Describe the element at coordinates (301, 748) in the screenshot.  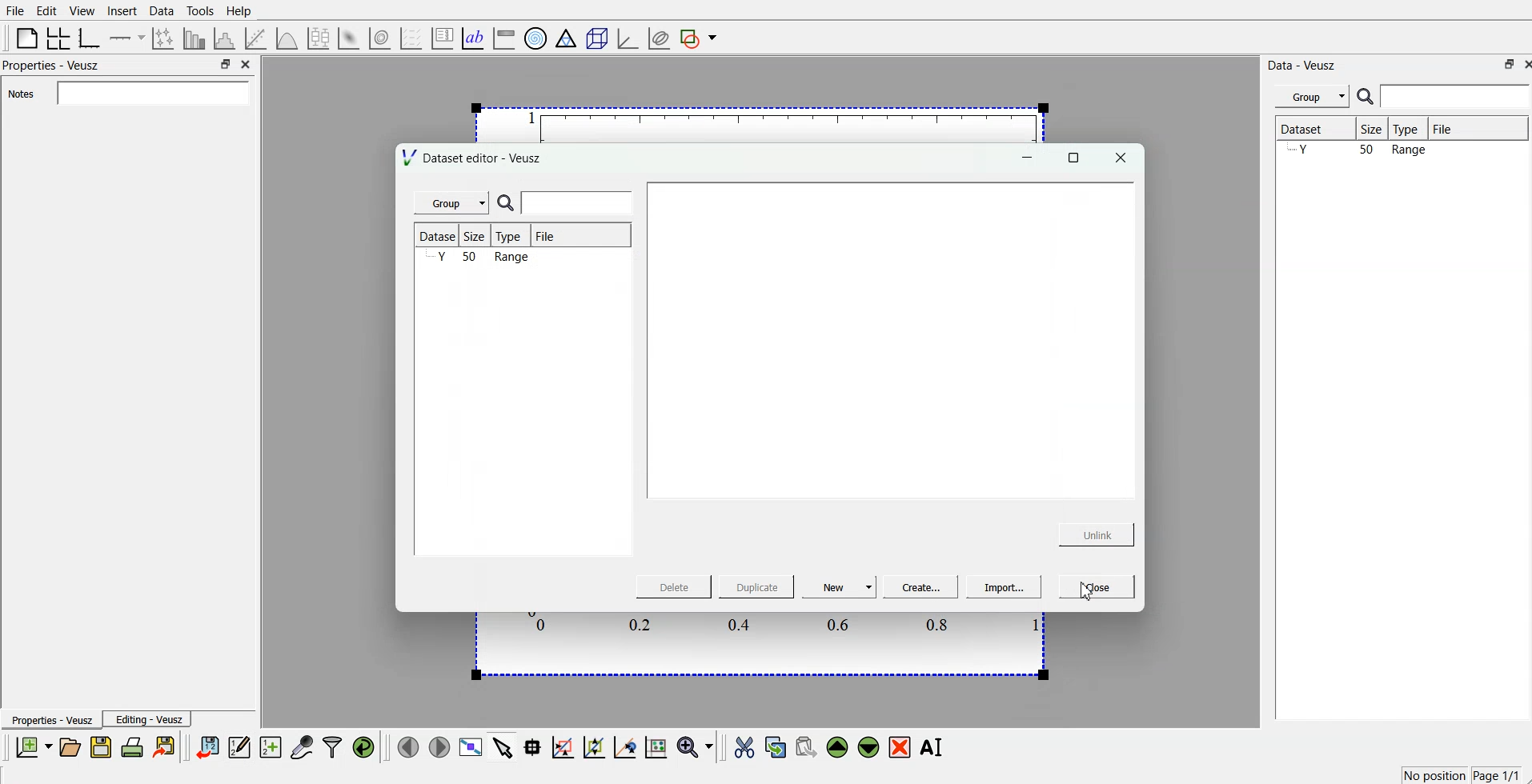
I see `capture remote data` at that location.